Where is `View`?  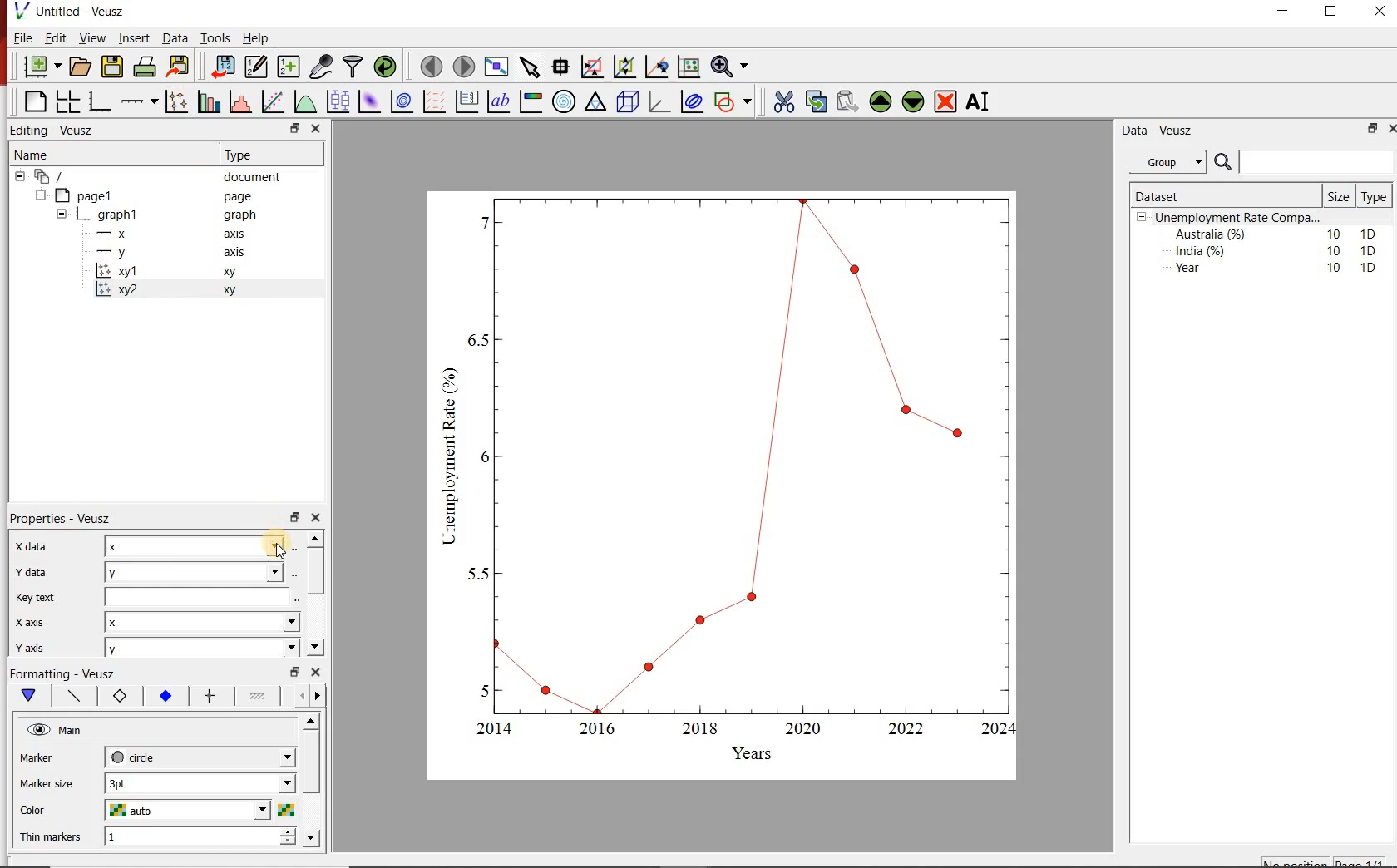 View is located at coordinates (91, 38).